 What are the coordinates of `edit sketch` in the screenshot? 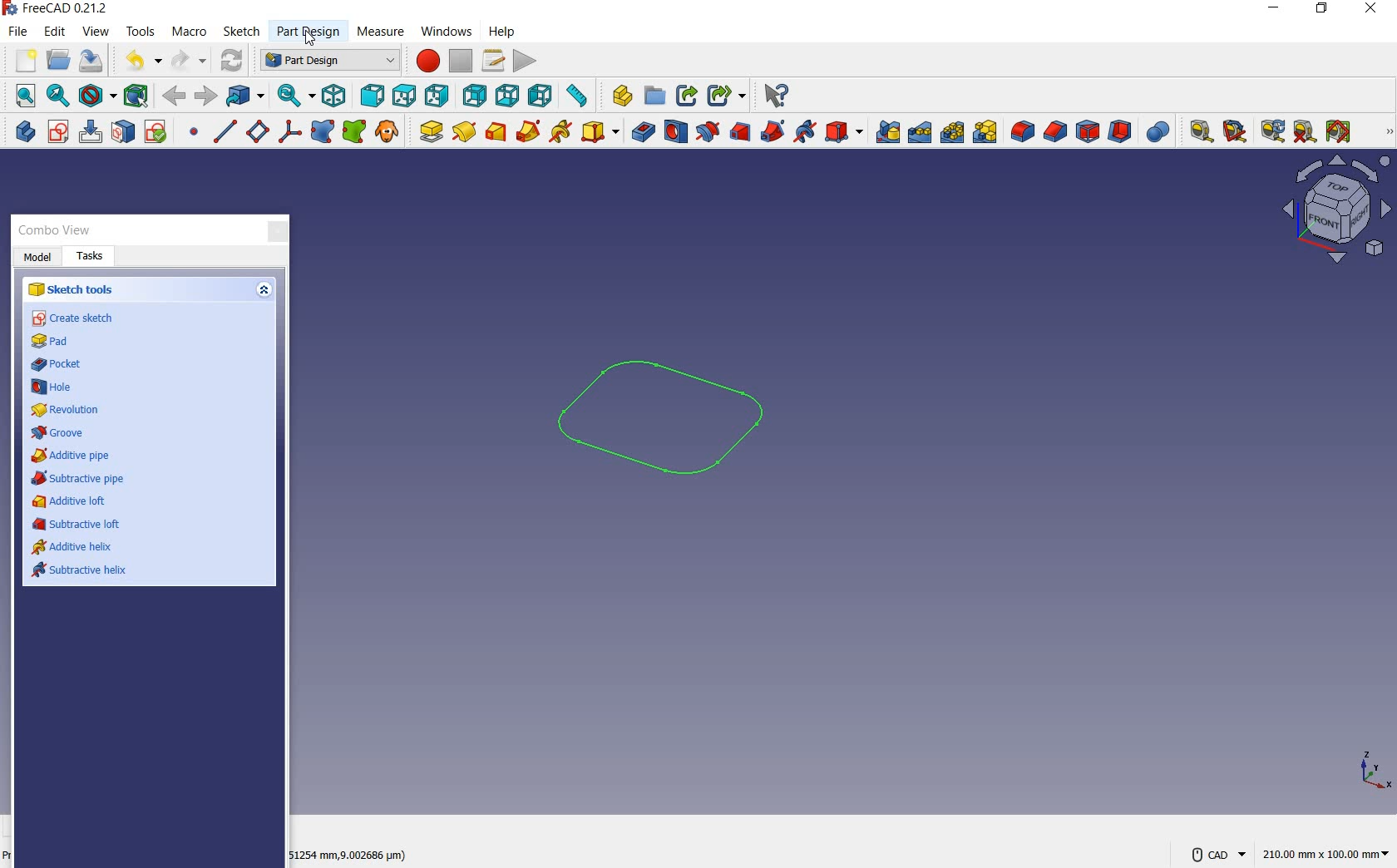 It's located at (92, 133).